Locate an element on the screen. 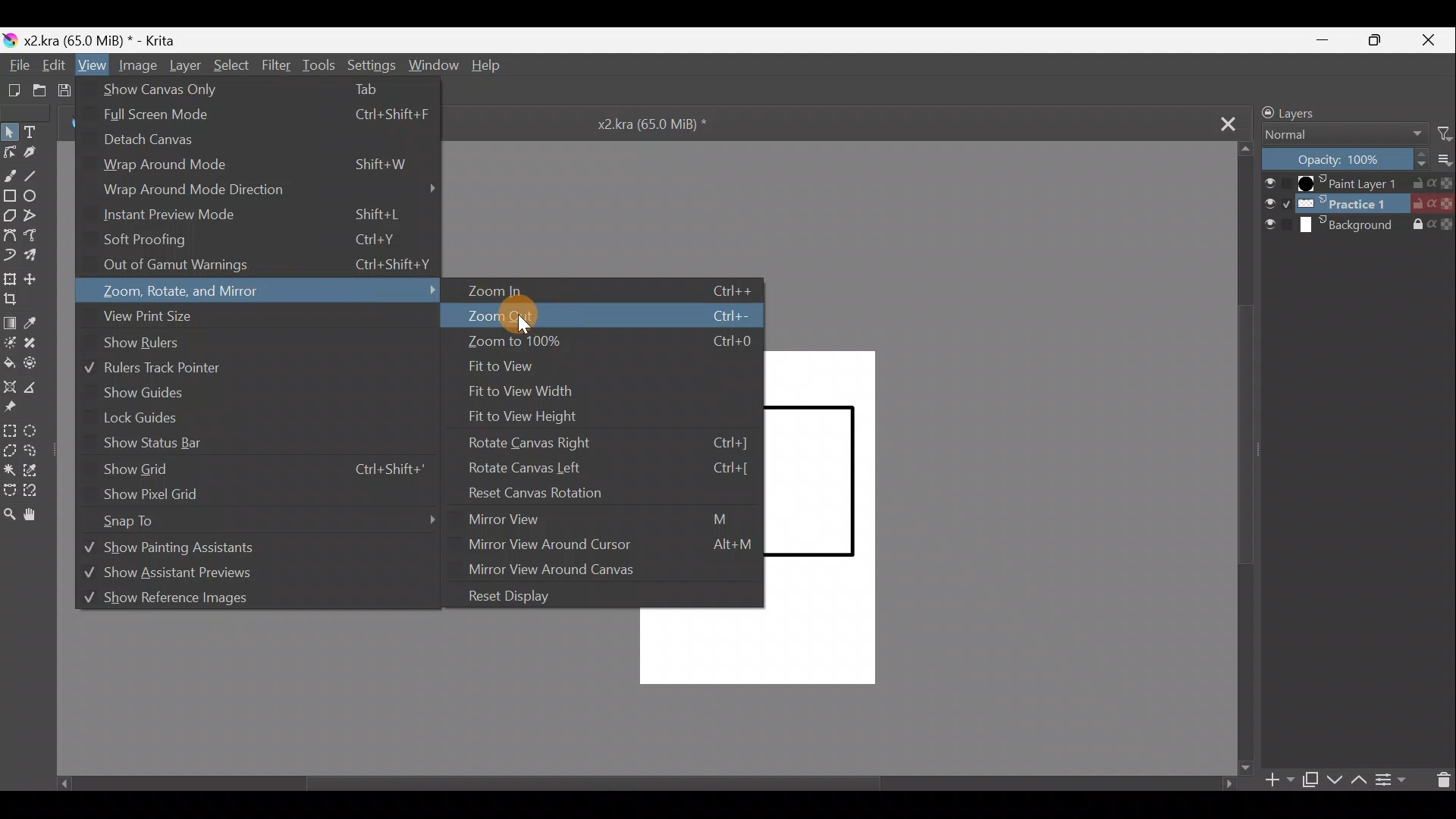 The width and height of the screenshot is (1456, 819). Measure the distance between two points is located at coordinates (37, 388).